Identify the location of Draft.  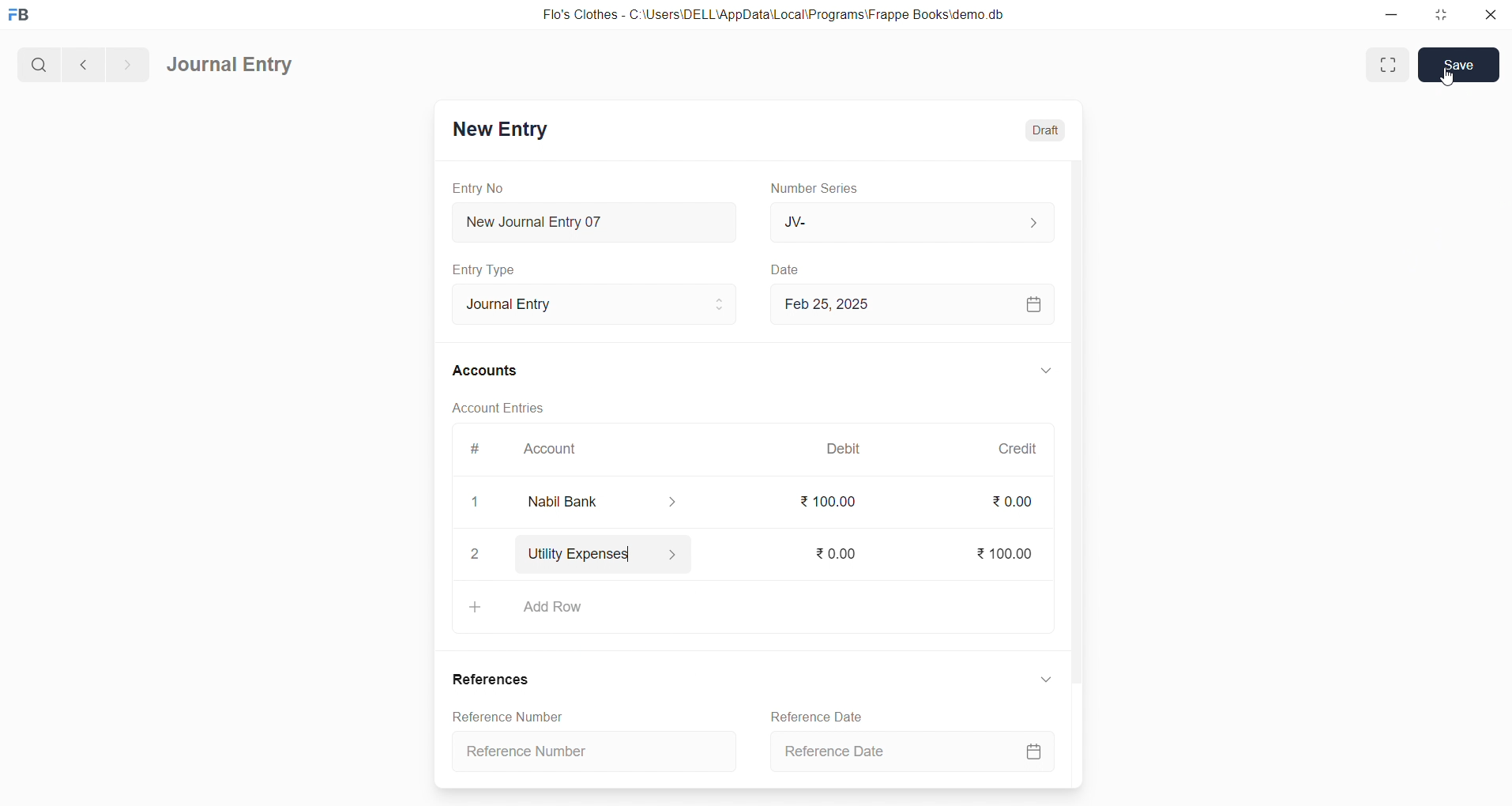
(1042, 127).